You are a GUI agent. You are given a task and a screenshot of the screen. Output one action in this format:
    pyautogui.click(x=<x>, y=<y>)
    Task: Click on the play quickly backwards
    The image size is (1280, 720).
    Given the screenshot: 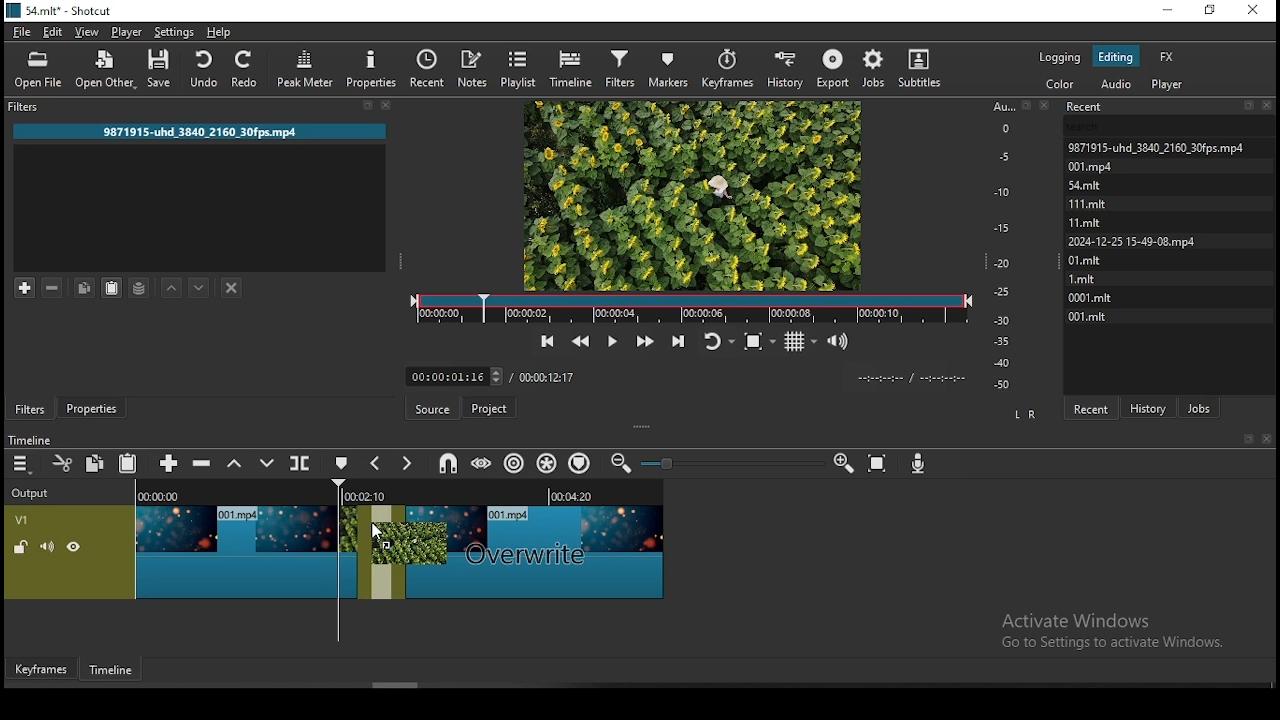 What is the action you would take?
    pyautogui.click(x=579, y=342)
    